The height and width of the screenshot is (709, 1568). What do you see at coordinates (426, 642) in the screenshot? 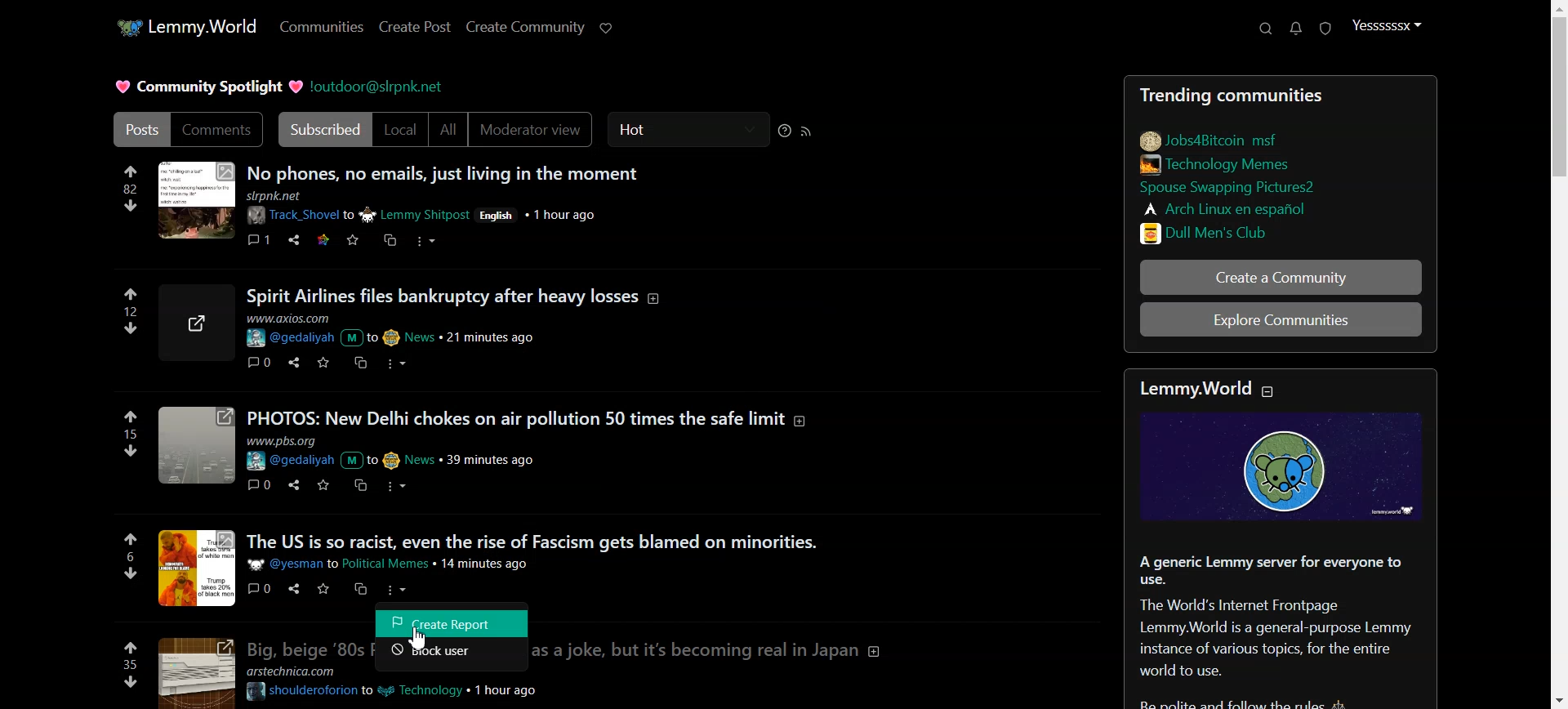
I see `Cursor` at bounding box center [426, 642].